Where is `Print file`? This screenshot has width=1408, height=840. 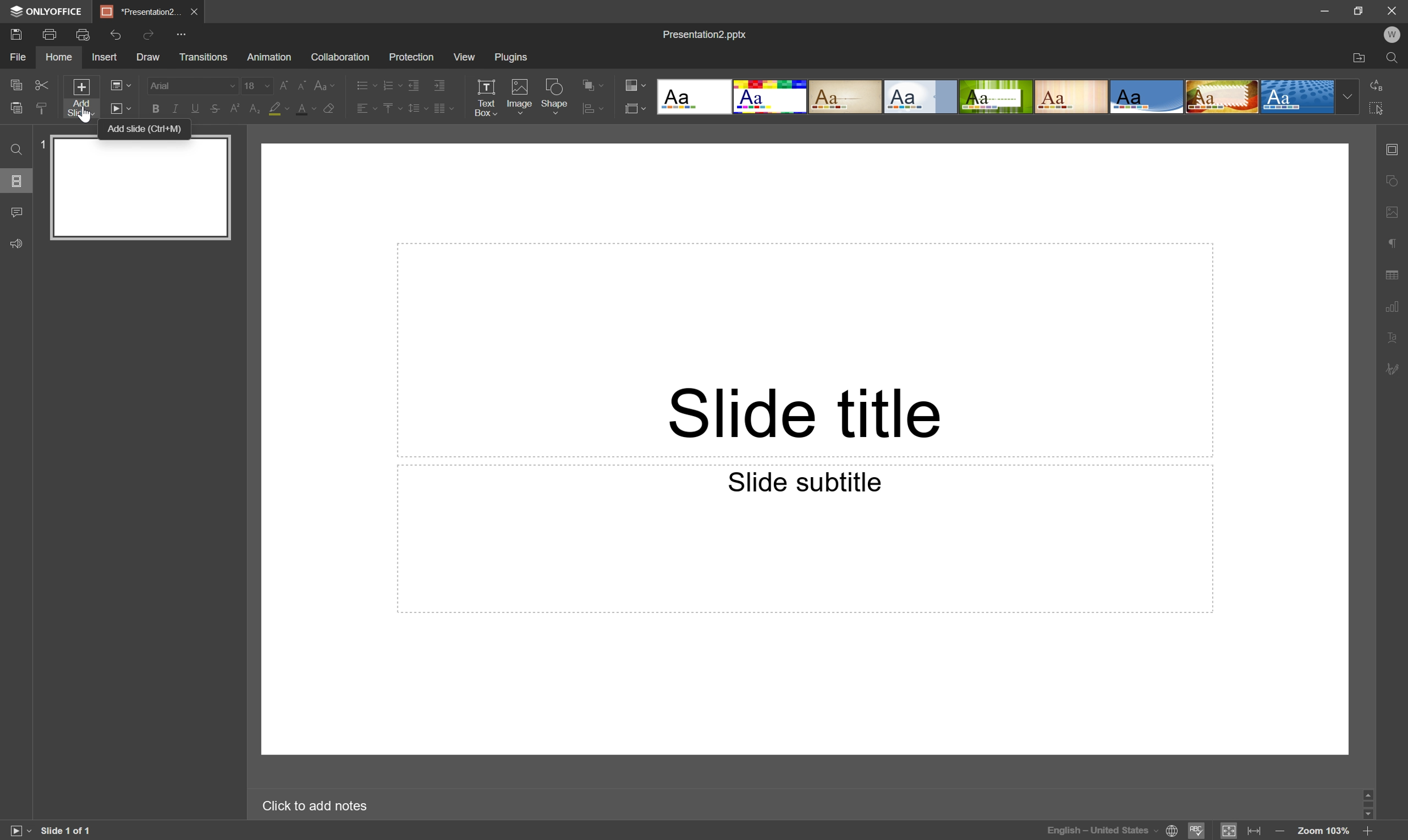 Print file is located at coordinates (50, 35).